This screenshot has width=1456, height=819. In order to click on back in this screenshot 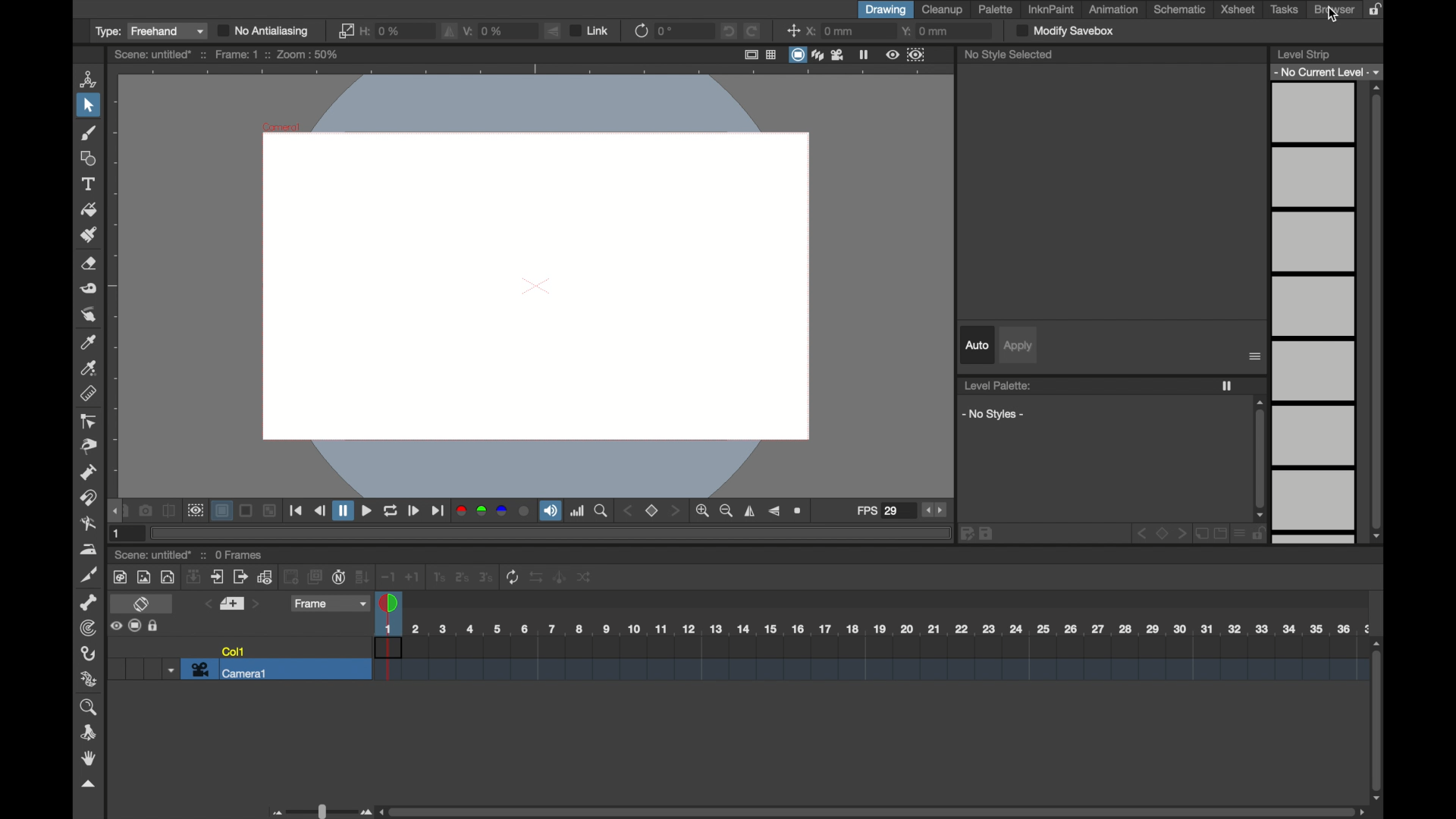, I will do `click(1140, 532)`.